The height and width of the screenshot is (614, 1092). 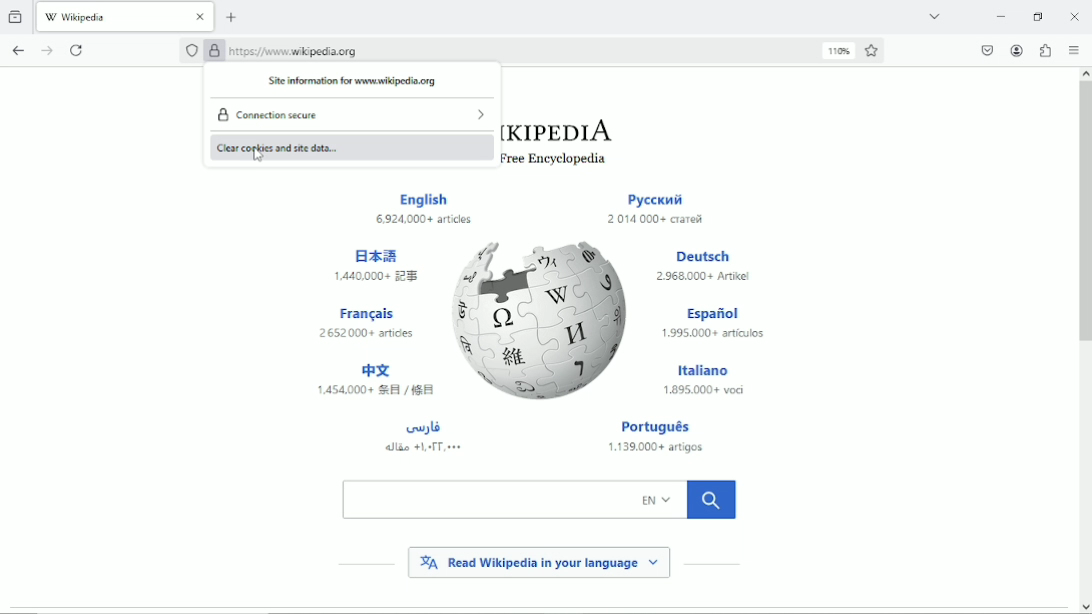 What do you see at coordinates (933, 15) in the screenshot?
I see `list all tabs` at bounding box center [933, 15].